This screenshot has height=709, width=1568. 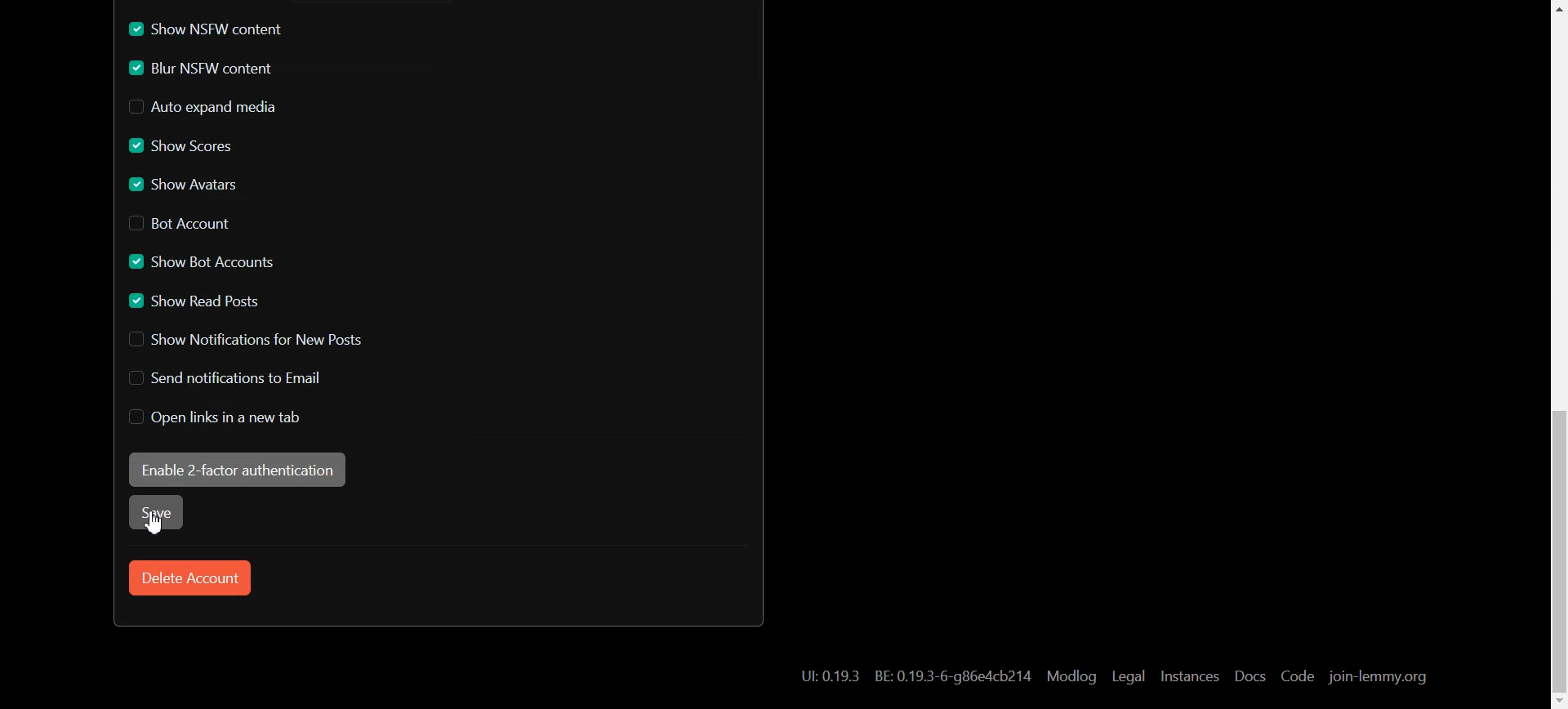 I want to click on Enable Show Read Posts, so click(x=196, y=301).